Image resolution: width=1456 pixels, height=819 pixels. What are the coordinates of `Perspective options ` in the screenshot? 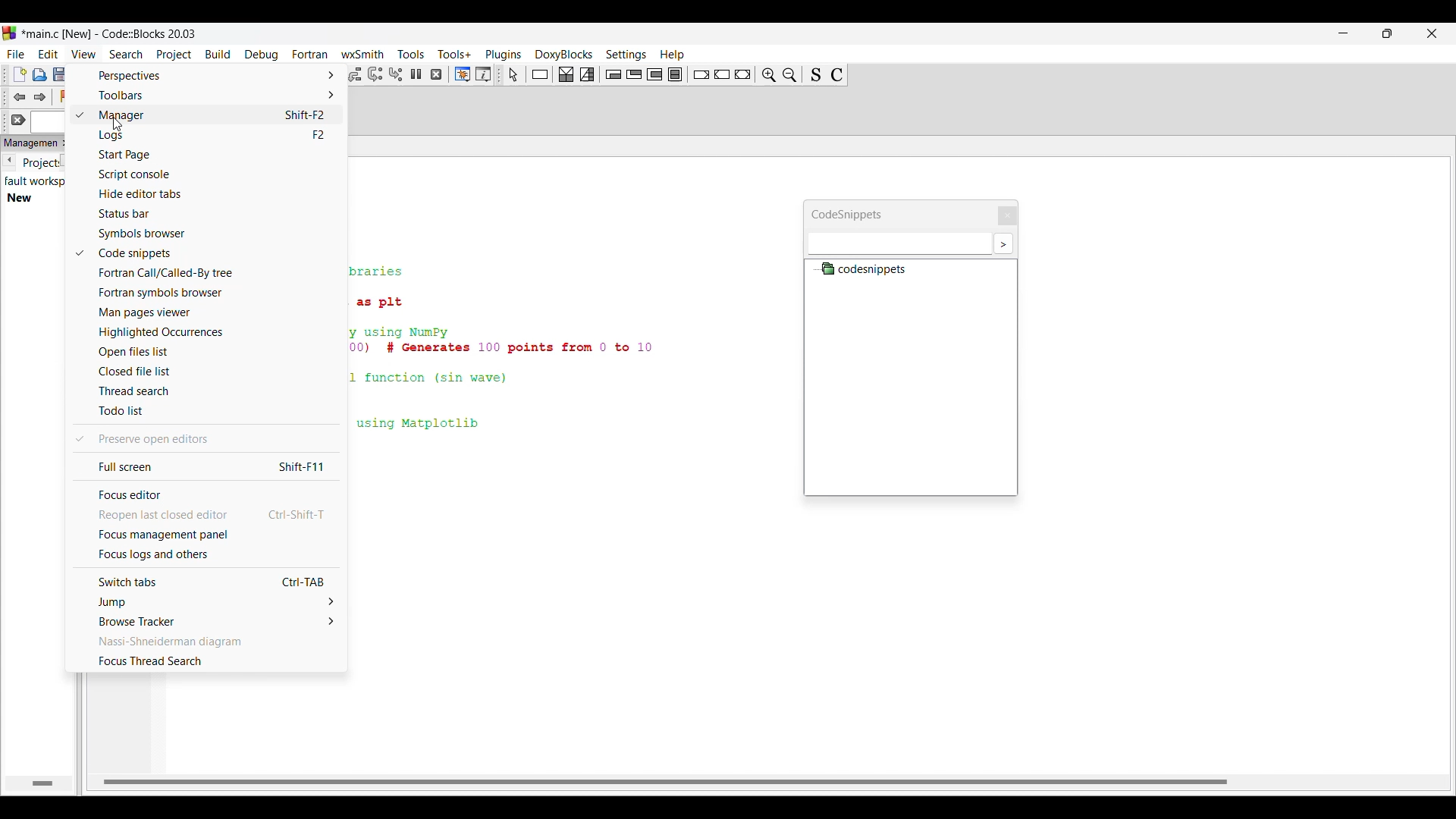 It's located at (206, 76).